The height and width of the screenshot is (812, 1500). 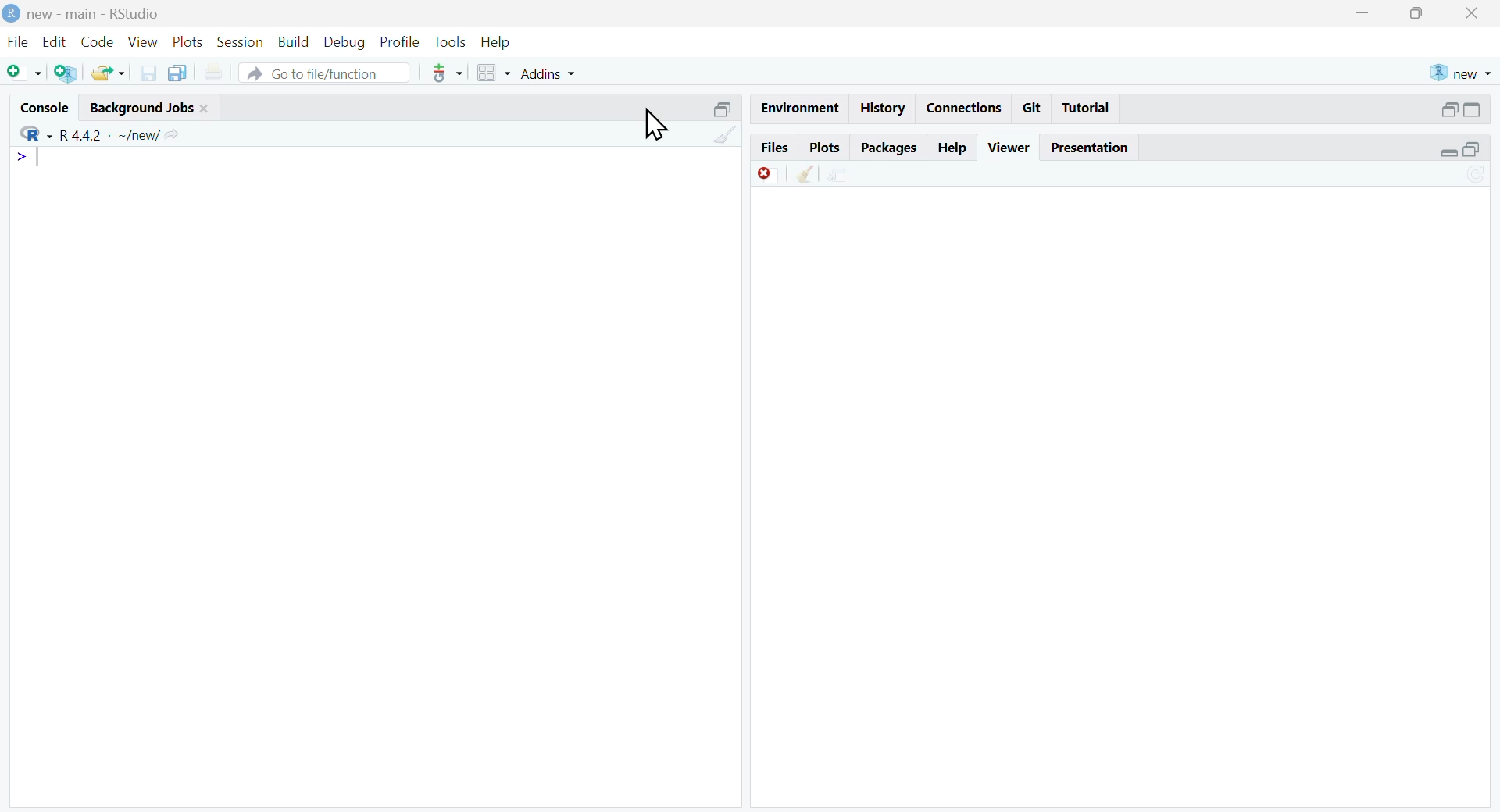 I want to click on tool, so click(x=448, y=73).